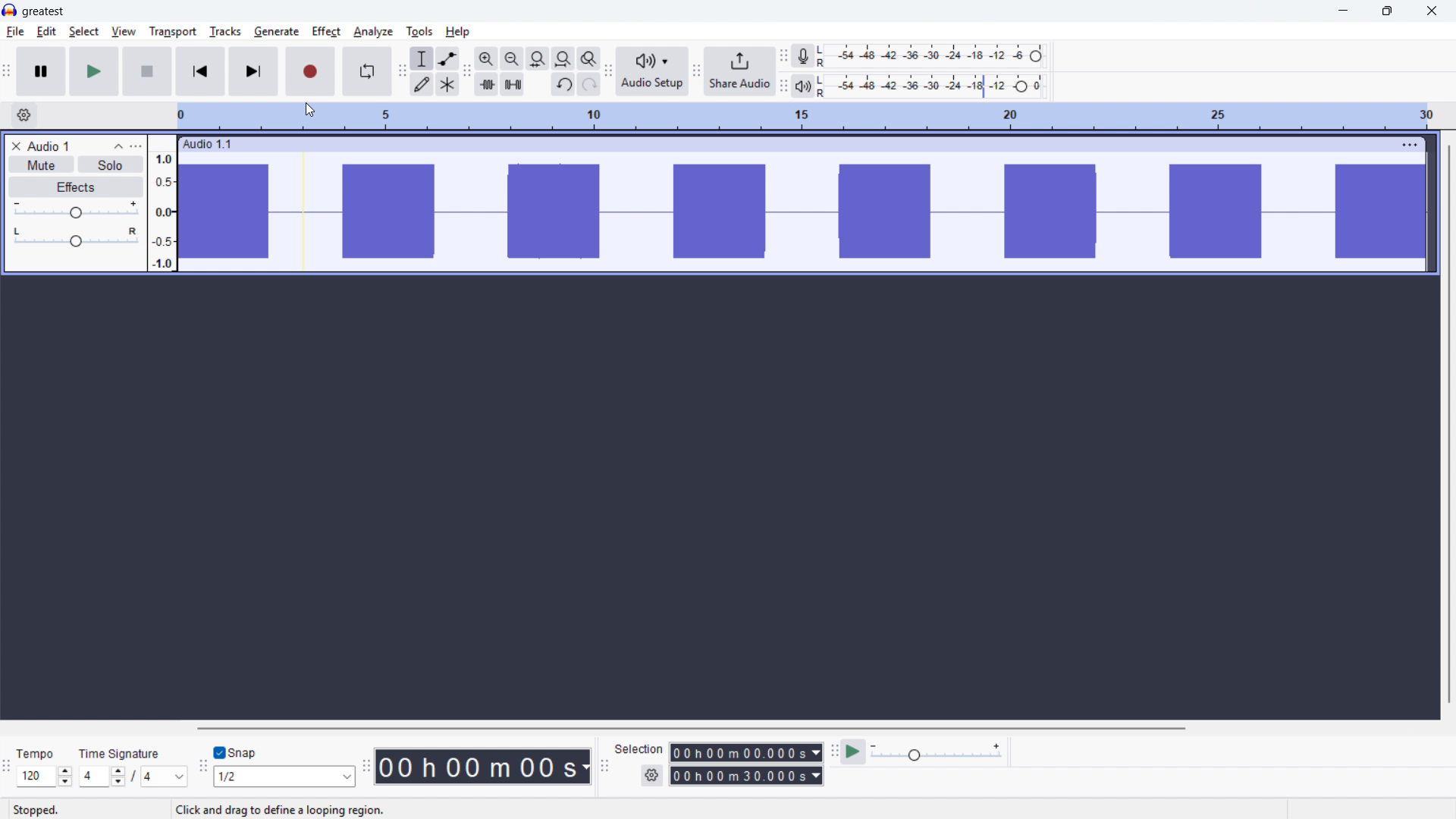  I want to click on close , so click(1432, 11).